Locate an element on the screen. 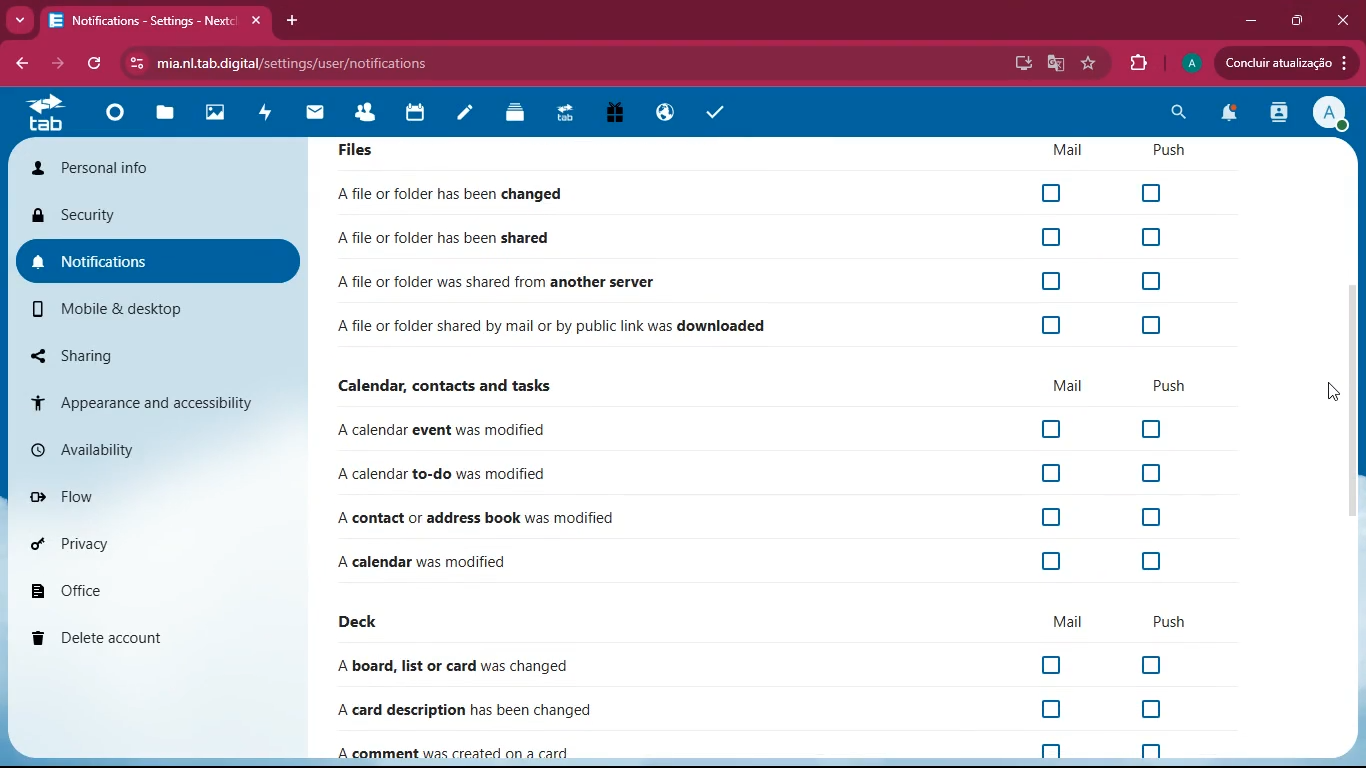 This screenshot has width=1366, height=768. calendar is located at coordinates (459, 385).